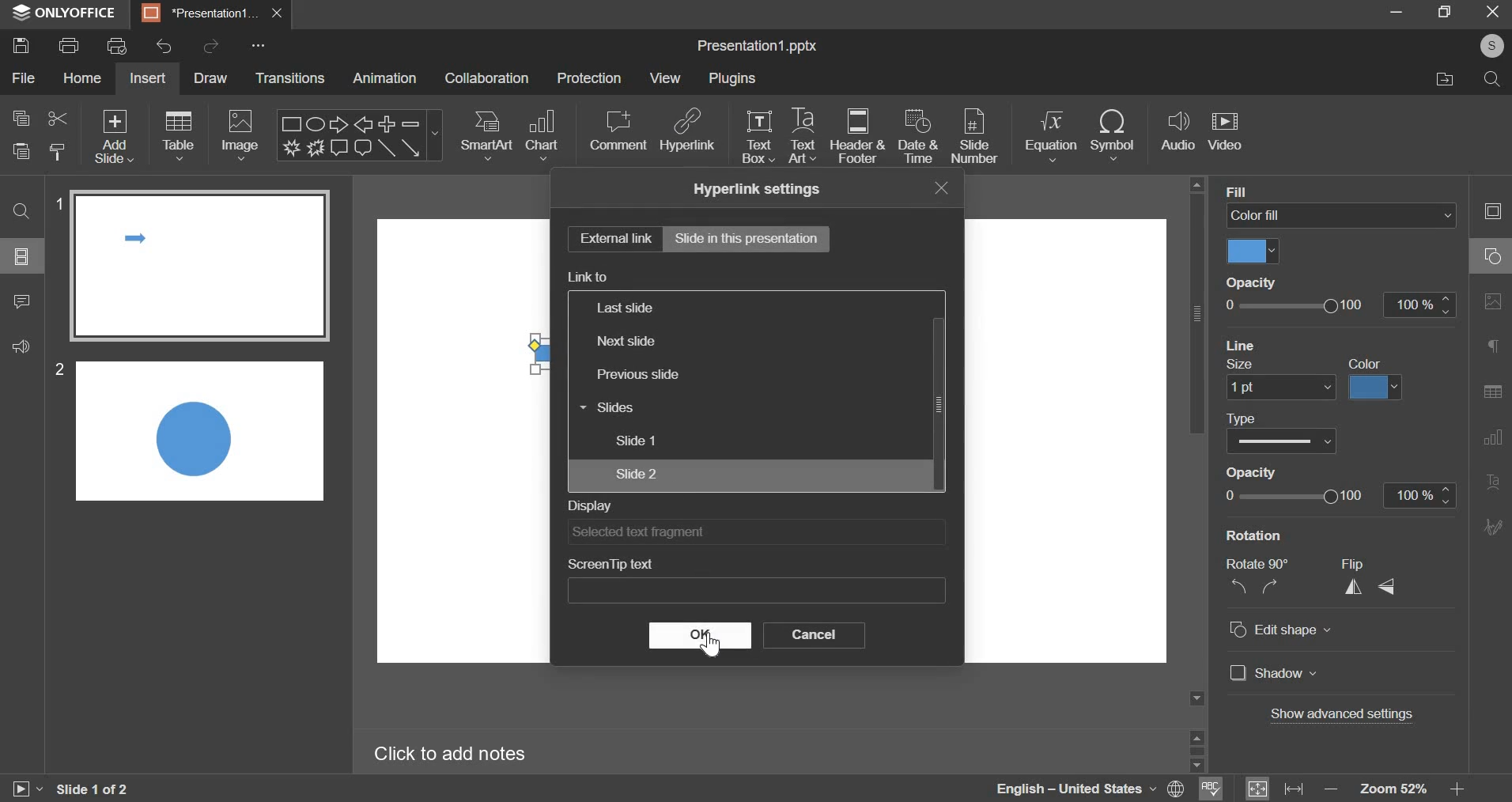  I want to click on account name, so click(1491, 46).